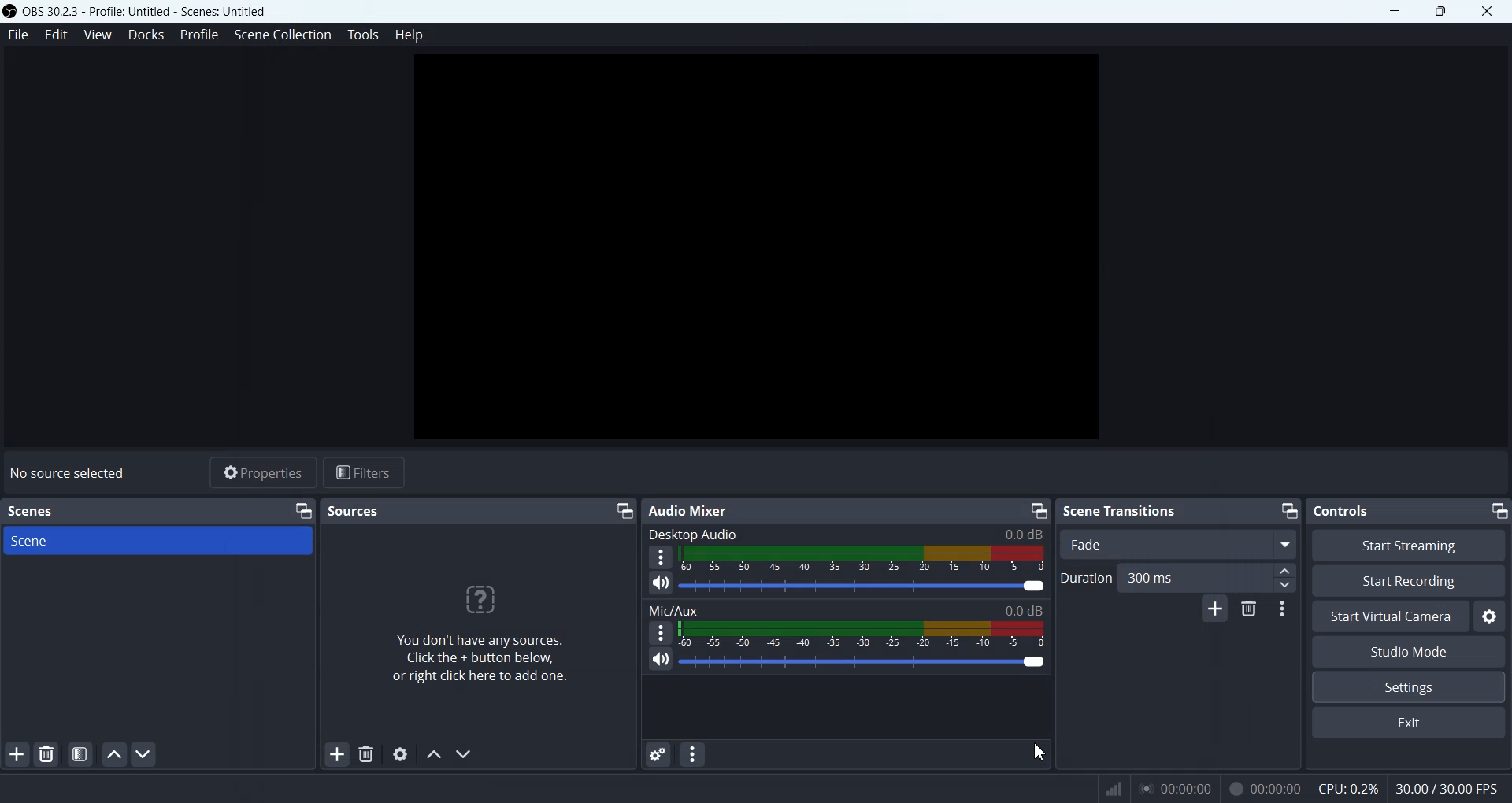 The image size is (1512, 803). Describe the element at coordinates (31, 512) in the screenshot. I see `Scenes` at that location.